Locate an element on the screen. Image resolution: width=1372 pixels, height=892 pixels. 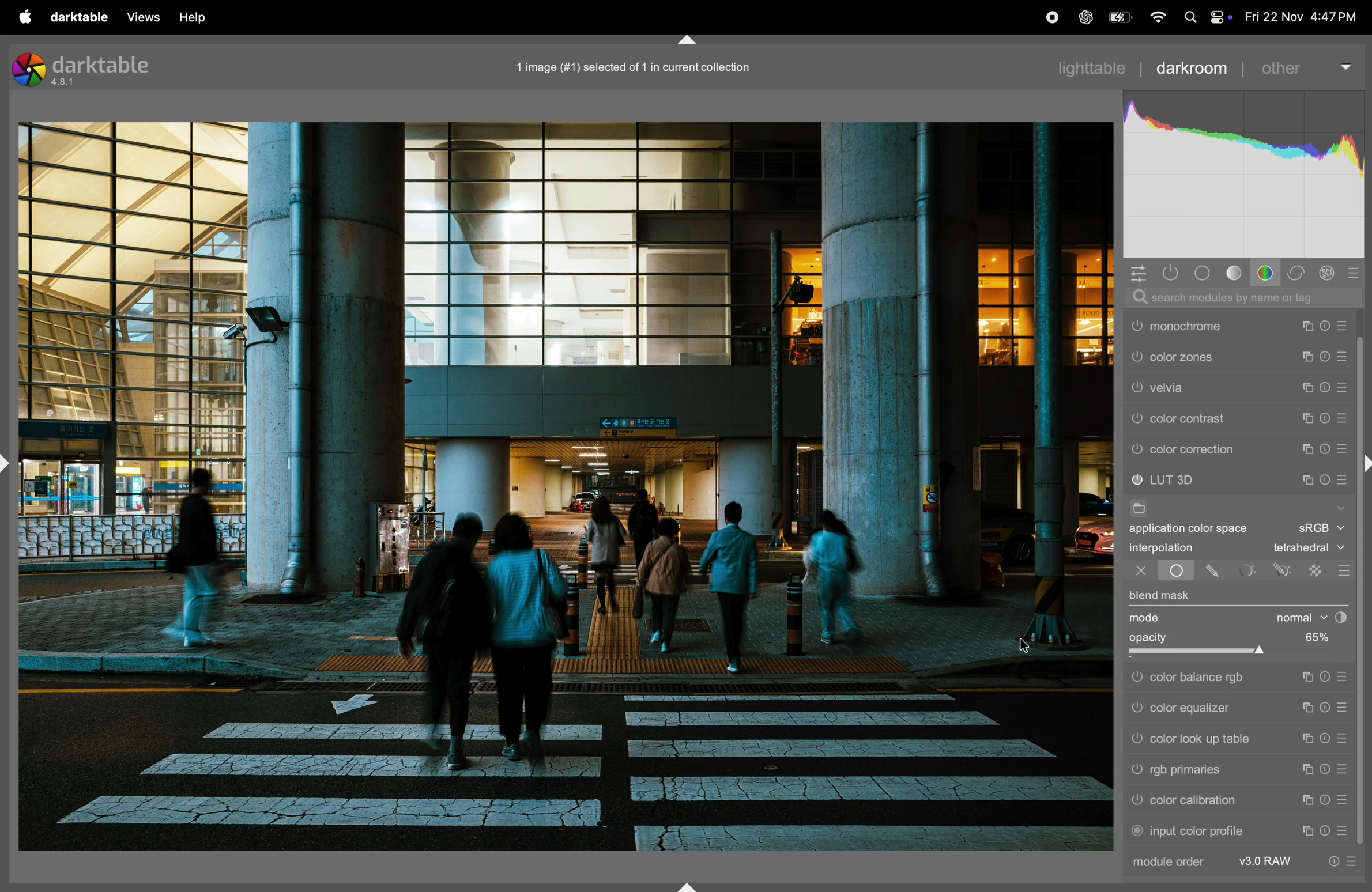
reset is located at coordinates (1325, 477).